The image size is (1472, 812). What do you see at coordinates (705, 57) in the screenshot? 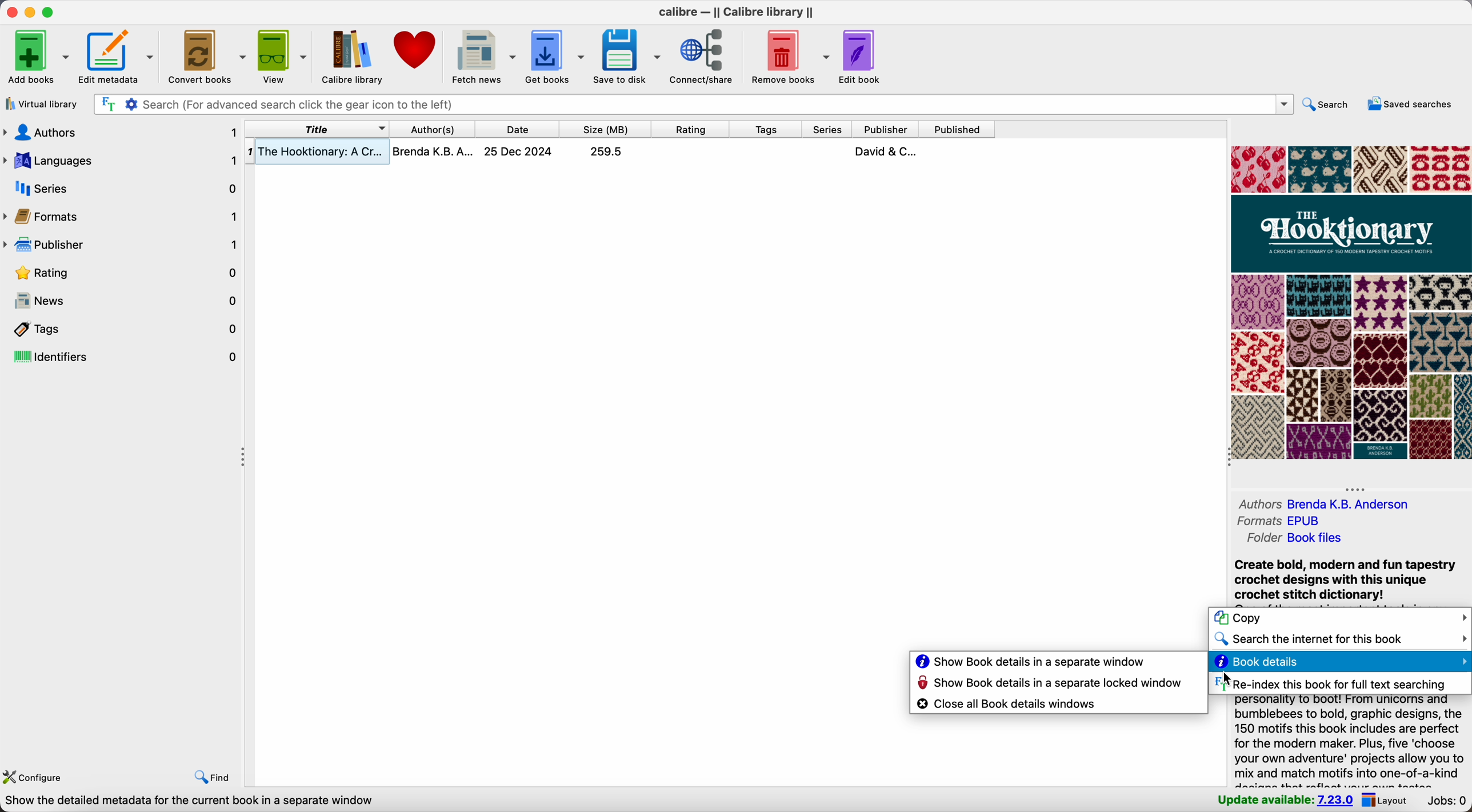
I see `connect/share` at bounding box center [705, 57].